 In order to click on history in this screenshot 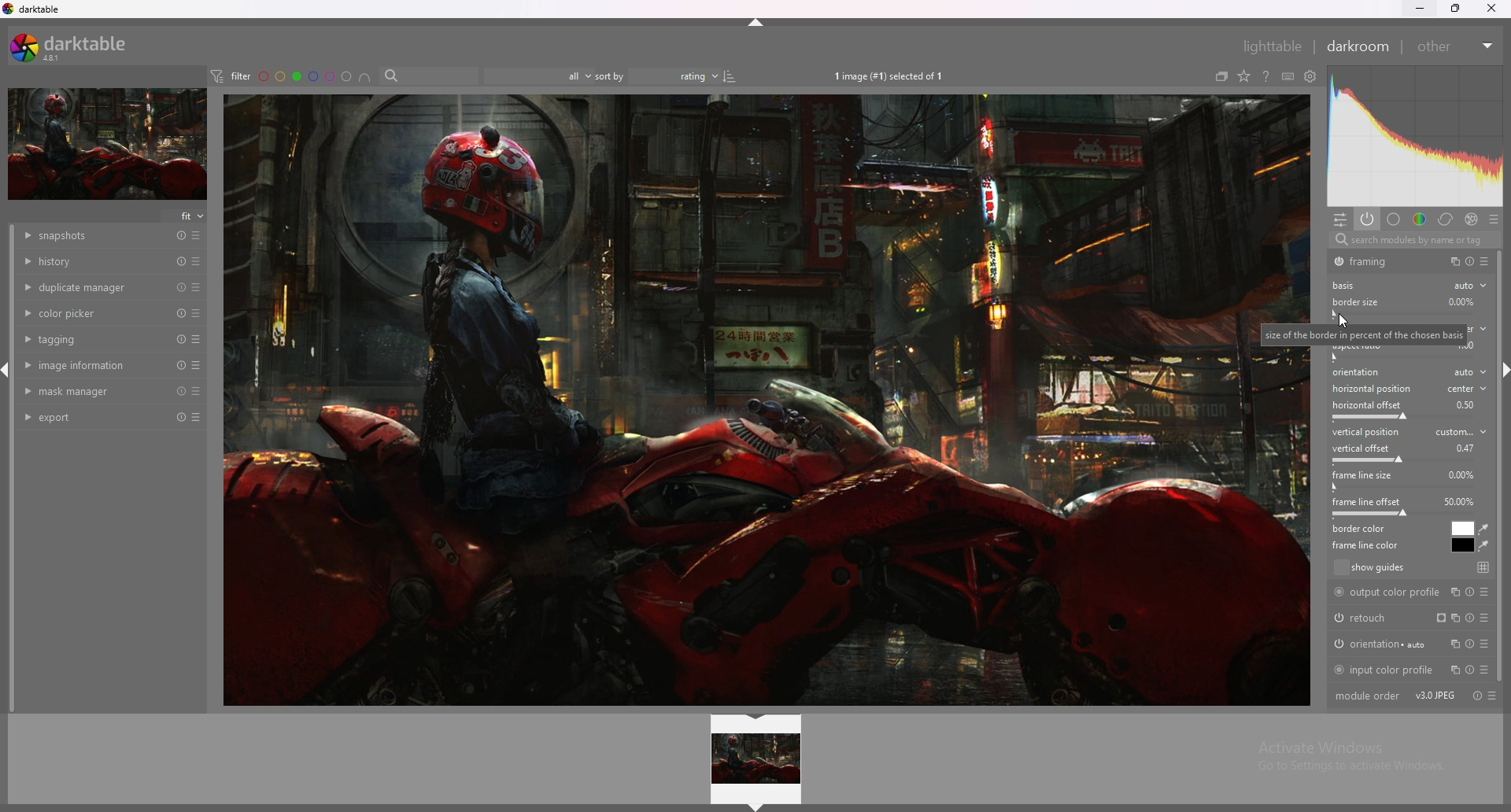, I will do `click(93, 260)`.